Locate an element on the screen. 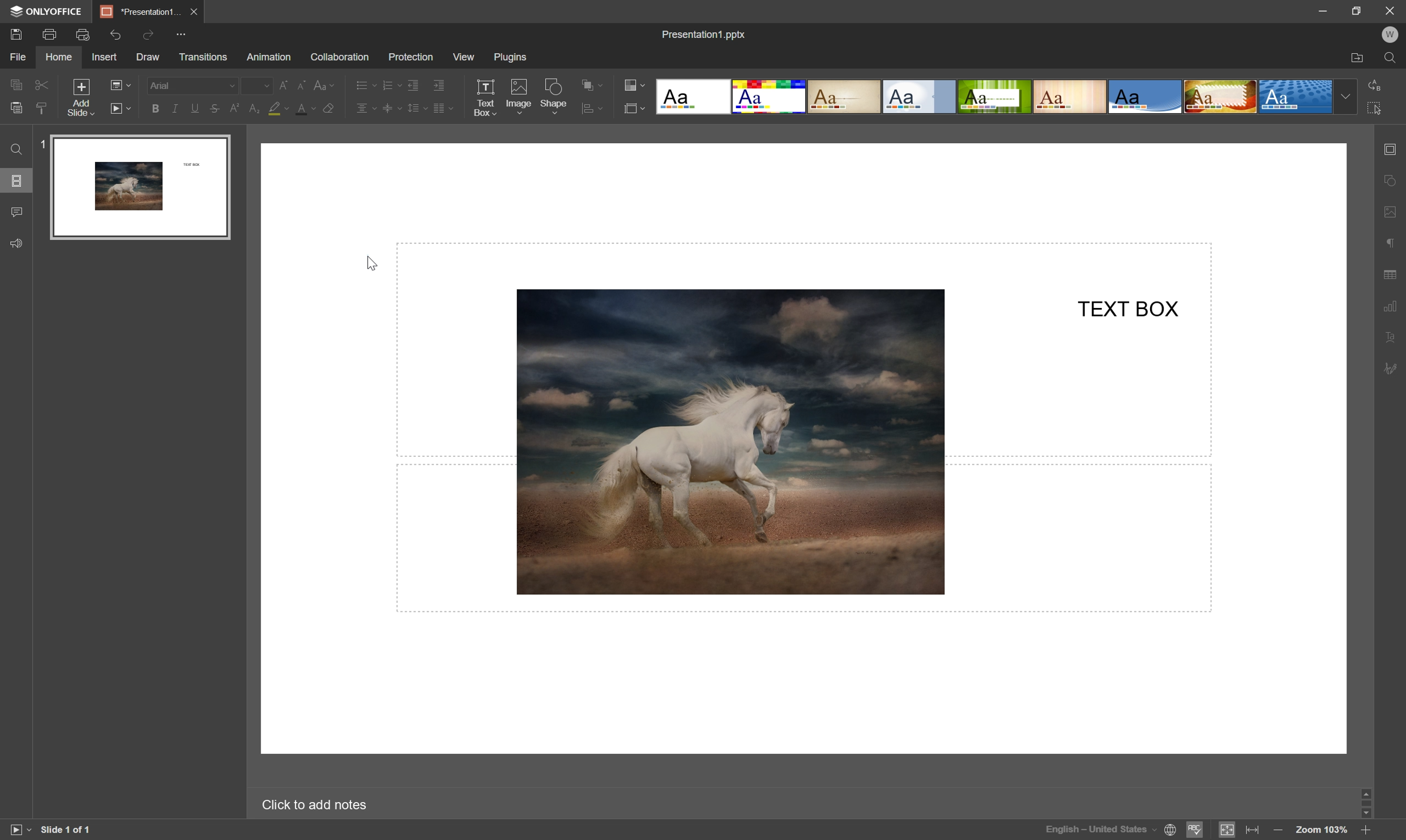 This screenshot has width=1406, height=840. drop down is located at coordinates (1347, 97).